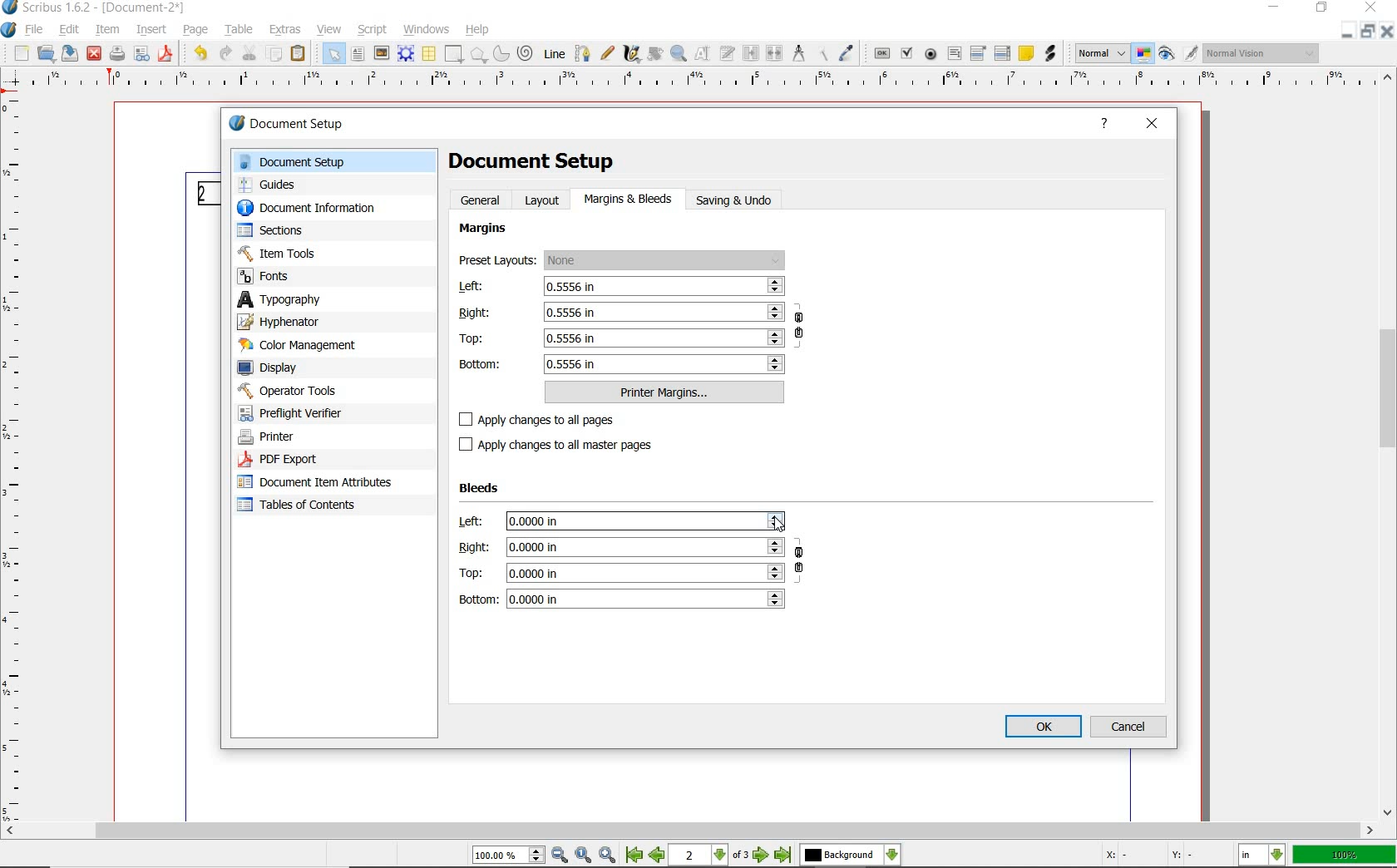 This screenshot has height=868, width=1397. I want to click on windows, so click(427, 28).